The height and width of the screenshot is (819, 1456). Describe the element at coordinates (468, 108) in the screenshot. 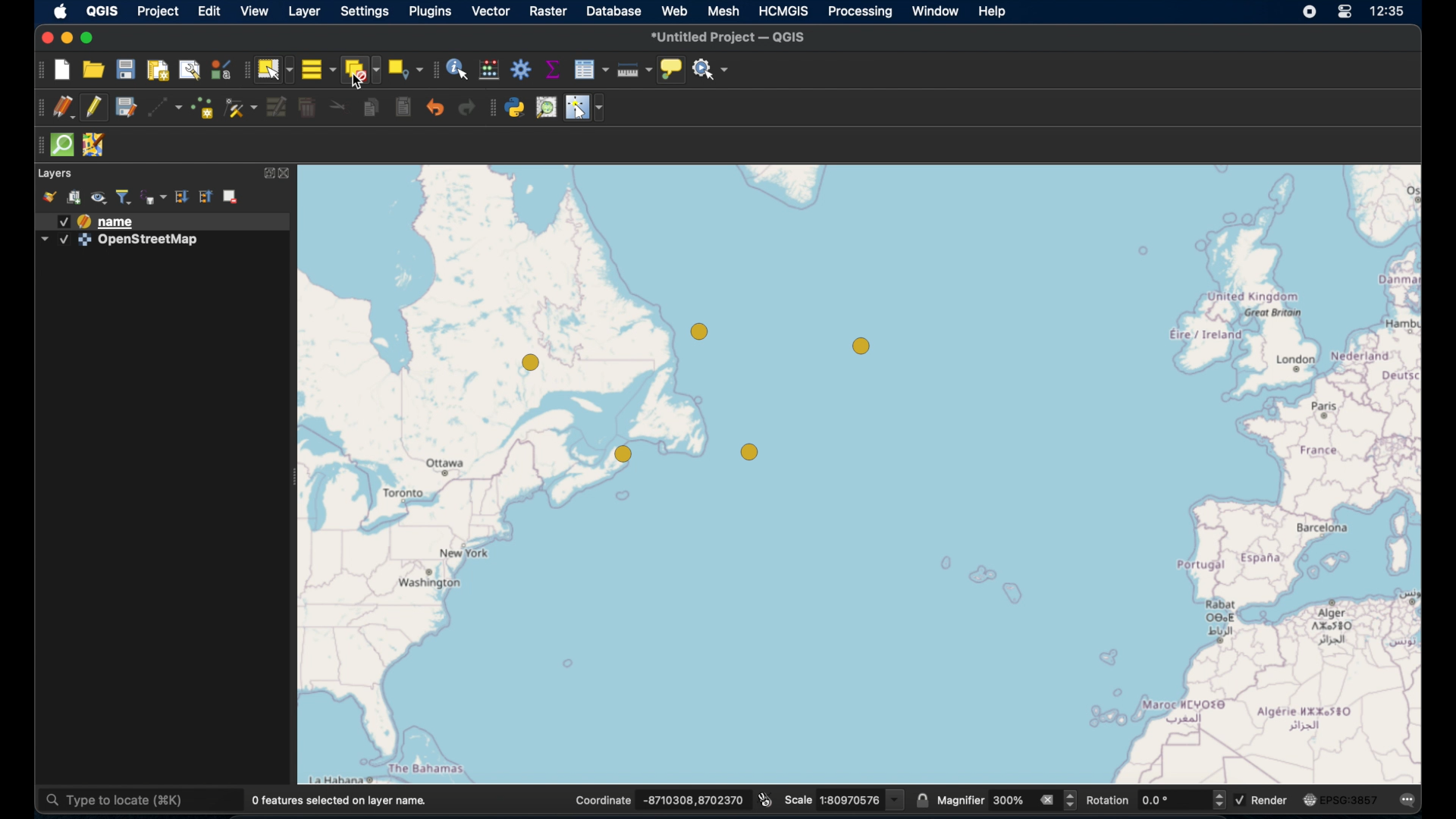

I see `redo` at that location.